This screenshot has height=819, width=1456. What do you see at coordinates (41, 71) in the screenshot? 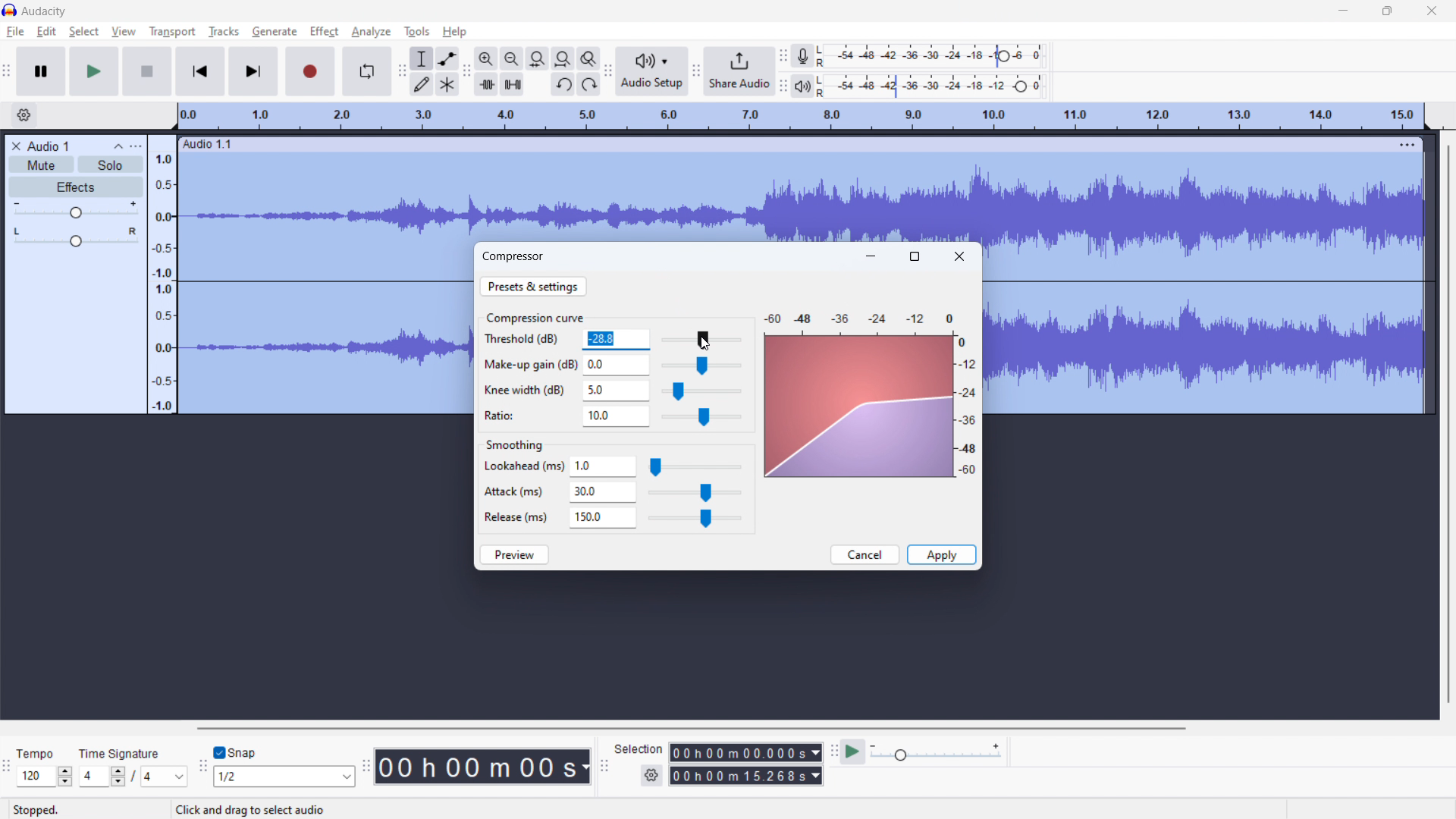
I see `pause` at bounding box center [41, 71].